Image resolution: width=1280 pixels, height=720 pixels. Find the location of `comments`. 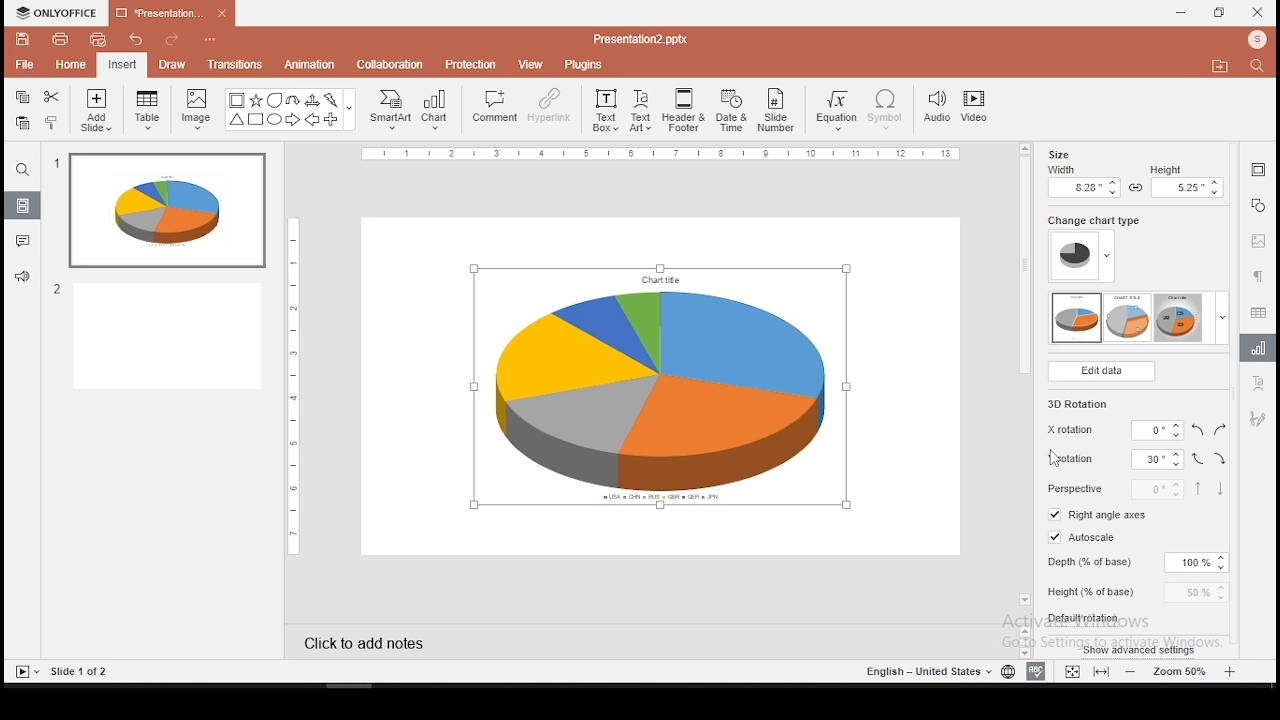

comments is located at coordinates (24, 244).